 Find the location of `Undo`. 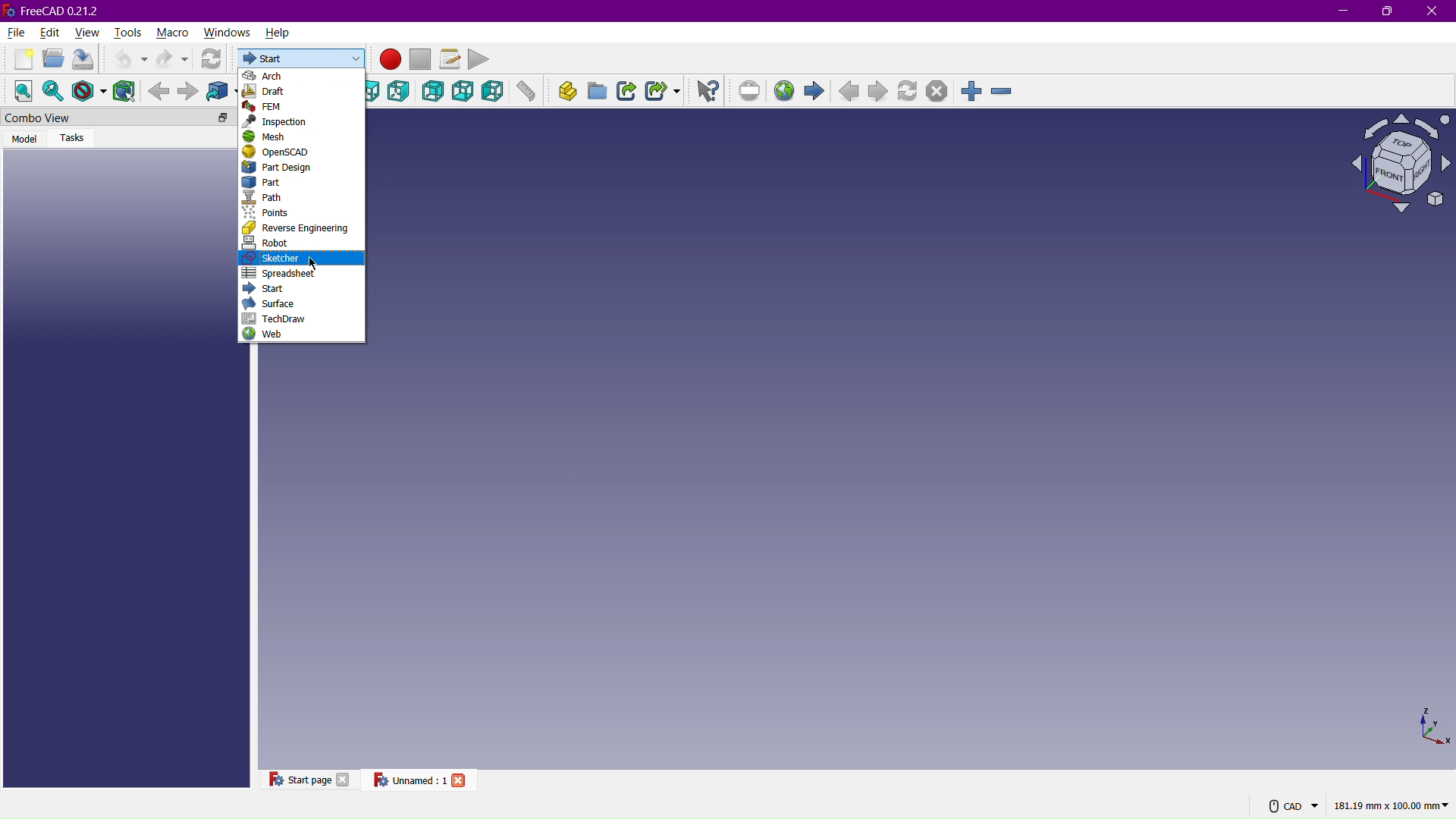

Undo is located at coordinates (126, 57).